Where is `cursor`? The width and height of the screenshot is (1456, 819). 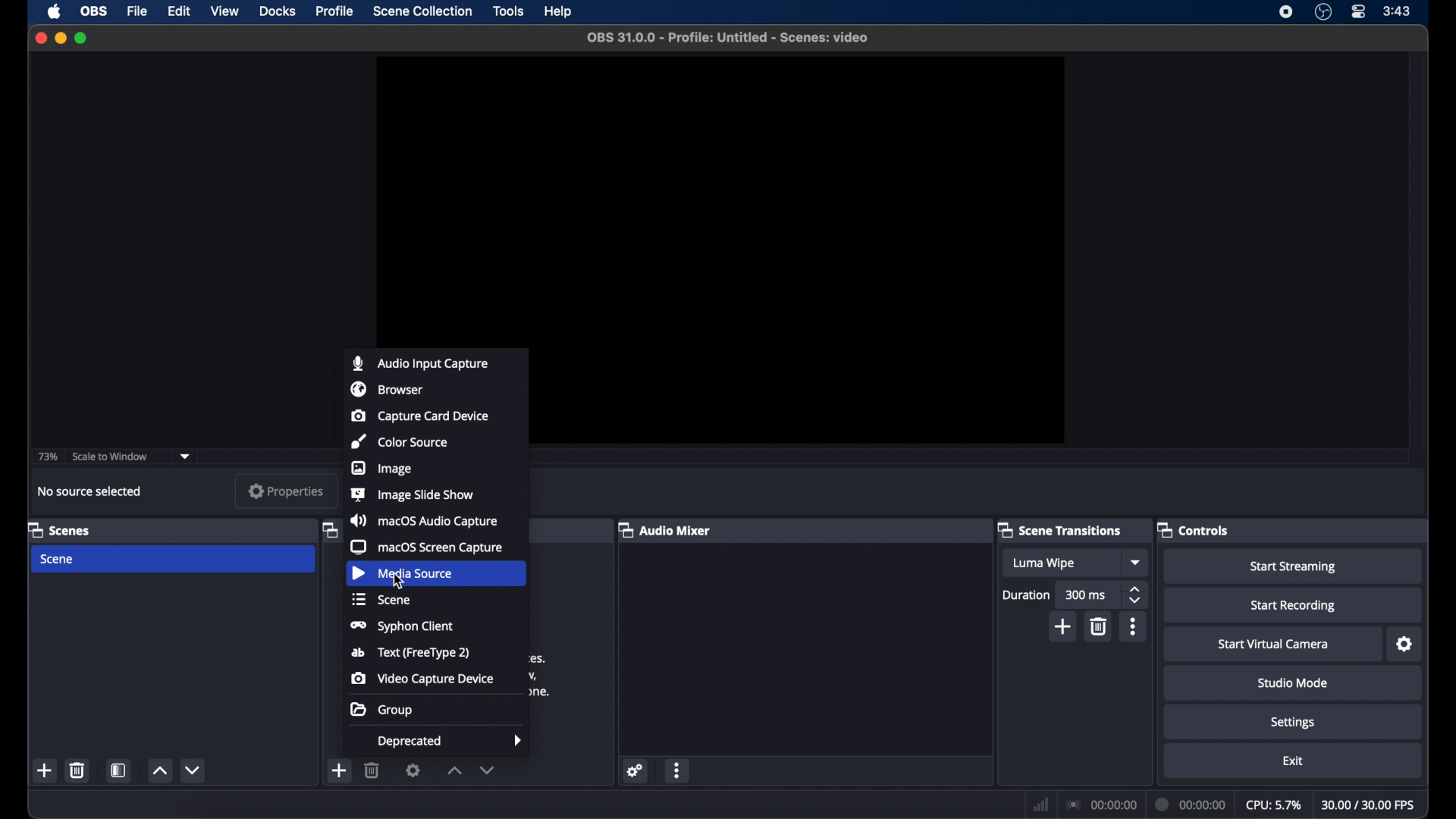
cursor is located at coordinates (400, 582).